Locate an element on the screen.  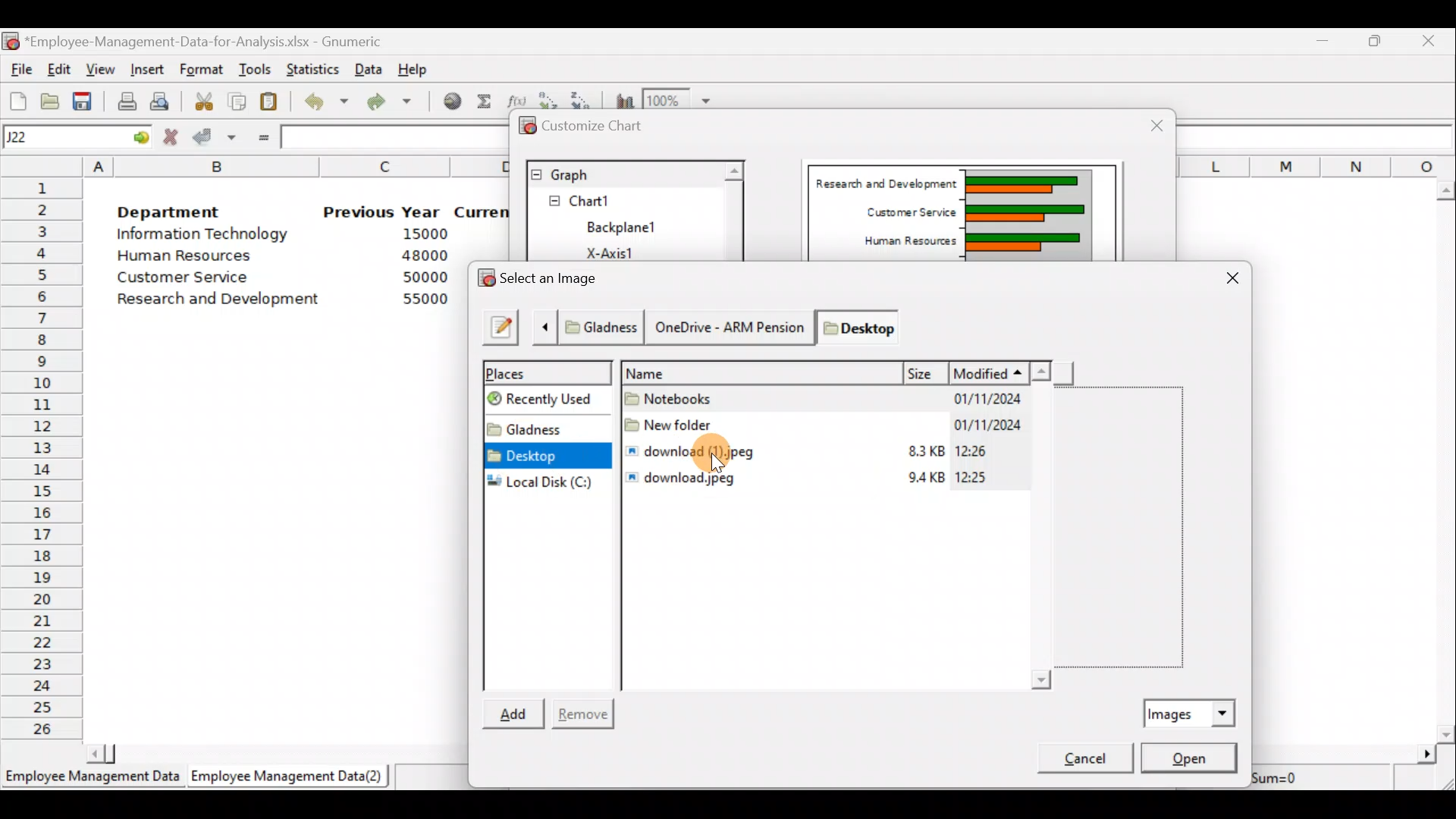
Employee Management Data (2) is located at coordinates (290, 777).